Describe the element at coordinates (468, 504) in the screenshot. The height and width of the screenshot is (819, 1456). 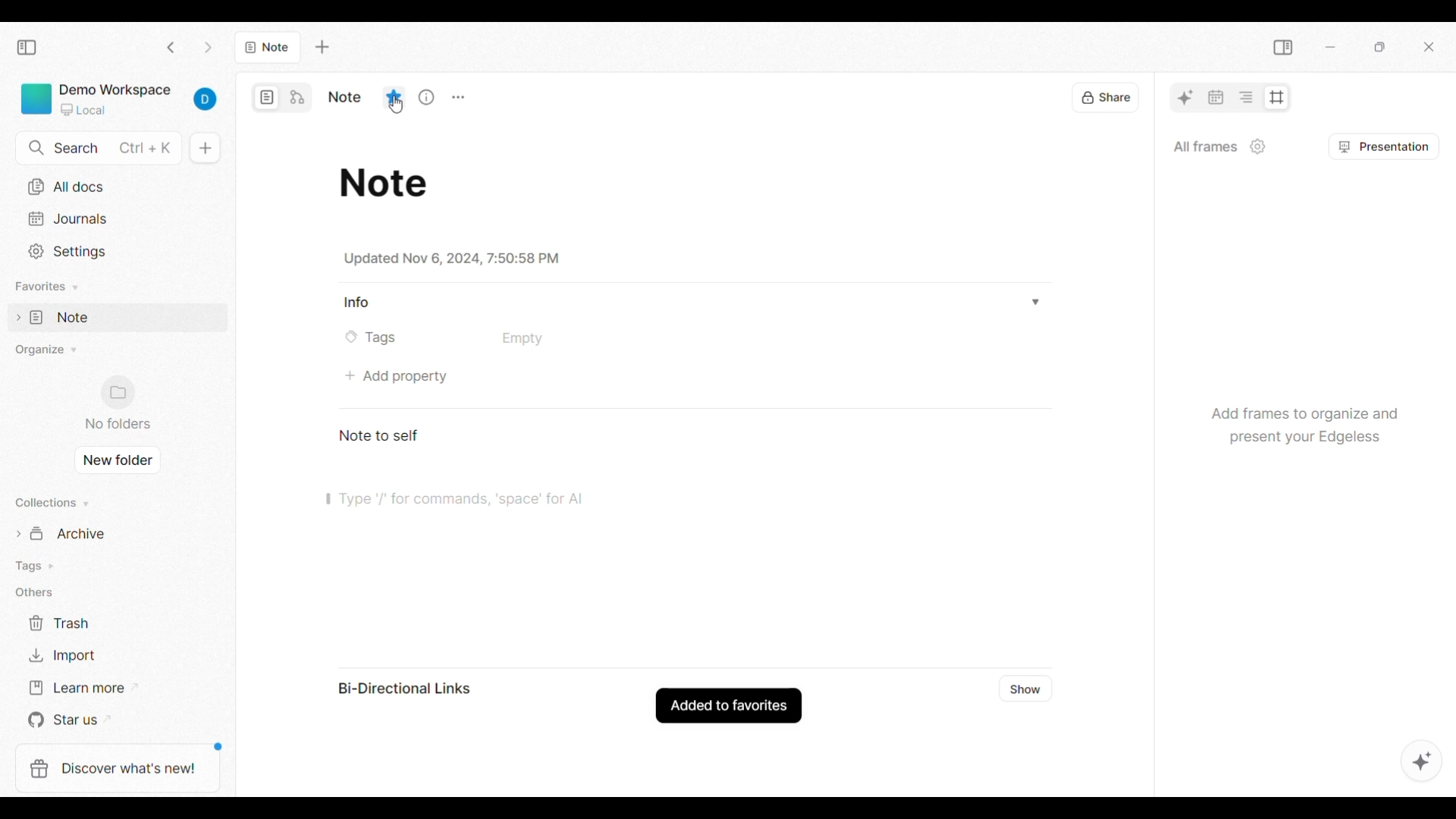
I see `1 Type '/' for commands, ‘space’ for Al` at that location.